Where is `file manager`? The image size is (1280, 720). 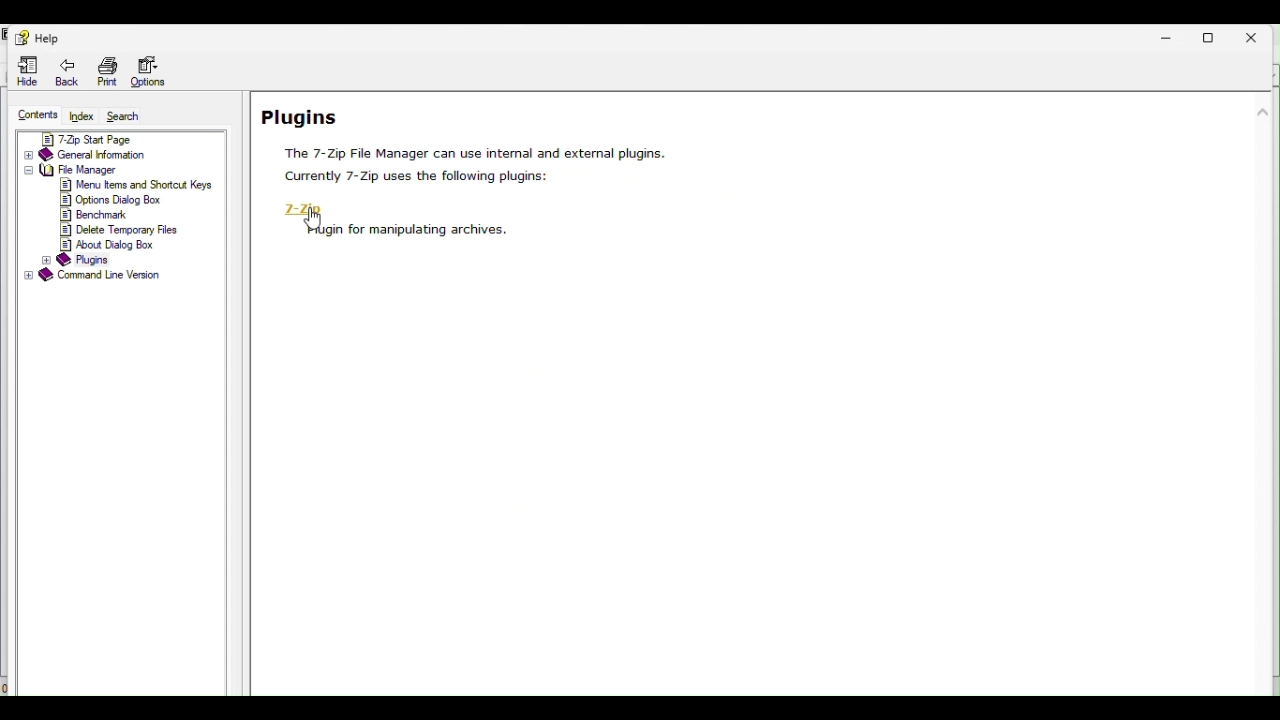
file manager is located at coordinates (81, 170).